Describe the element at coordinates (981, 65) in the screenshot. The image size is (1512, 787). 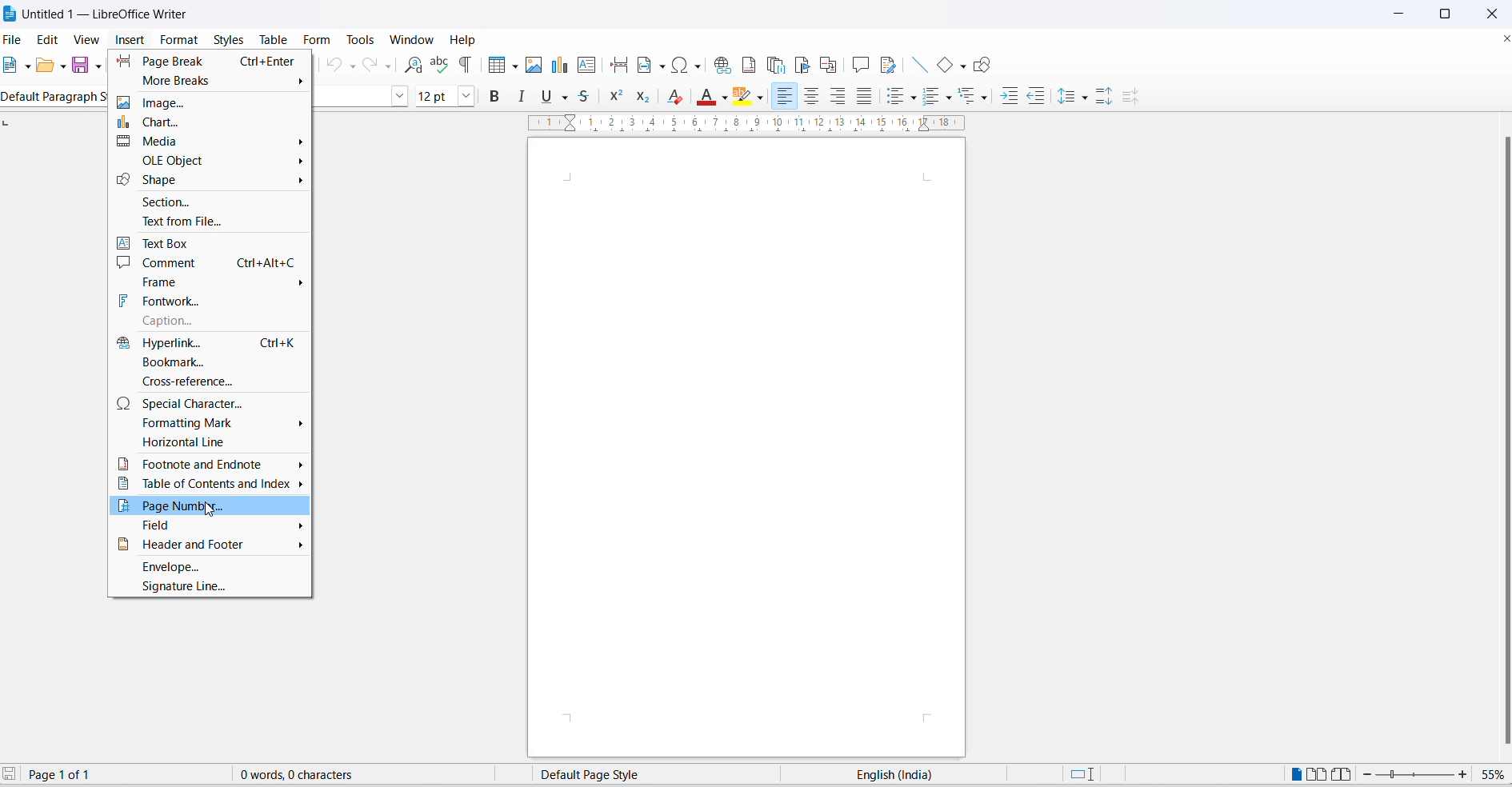
I see `show draw functions` at that location.